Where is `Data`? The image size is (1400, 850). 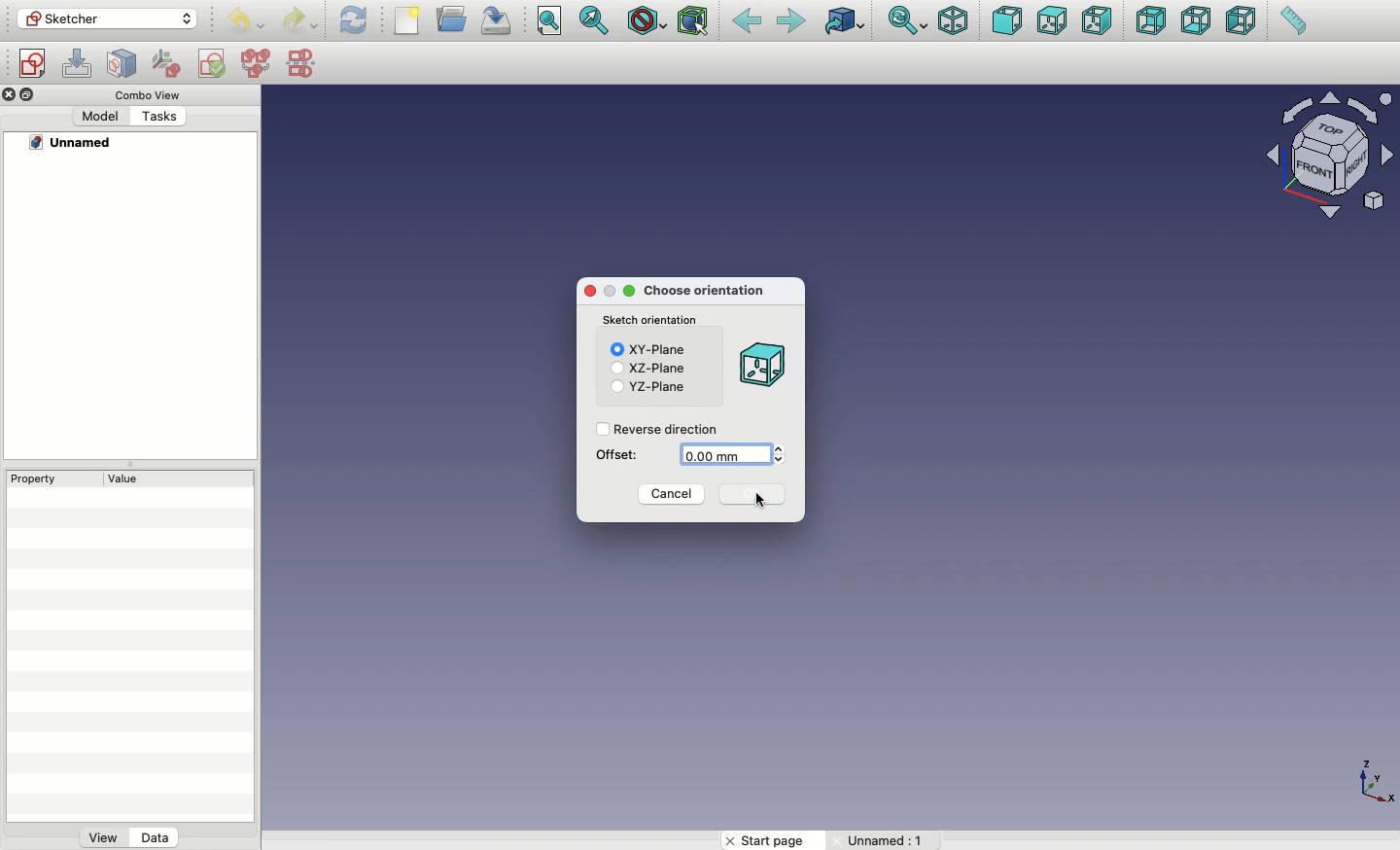
Data is located at coordinates (157, 836).